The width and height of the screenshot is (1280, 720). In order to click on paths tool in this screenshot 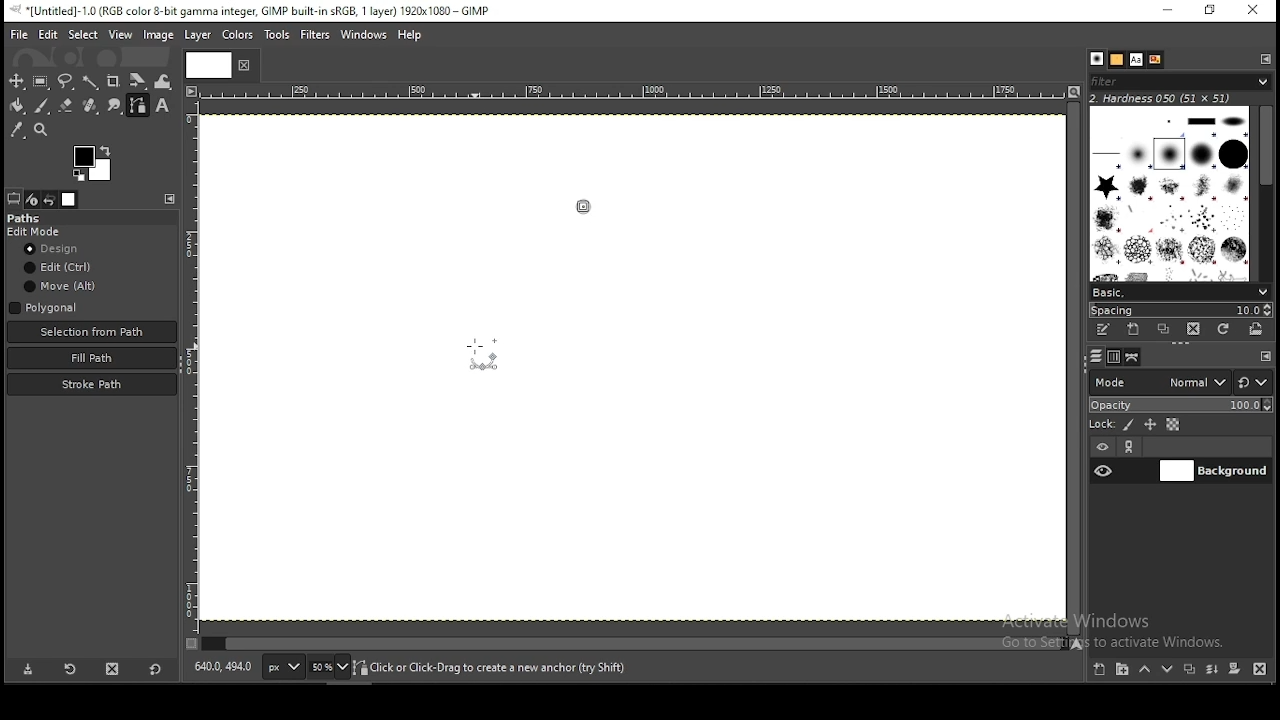, I will do `click(138, 106)`.